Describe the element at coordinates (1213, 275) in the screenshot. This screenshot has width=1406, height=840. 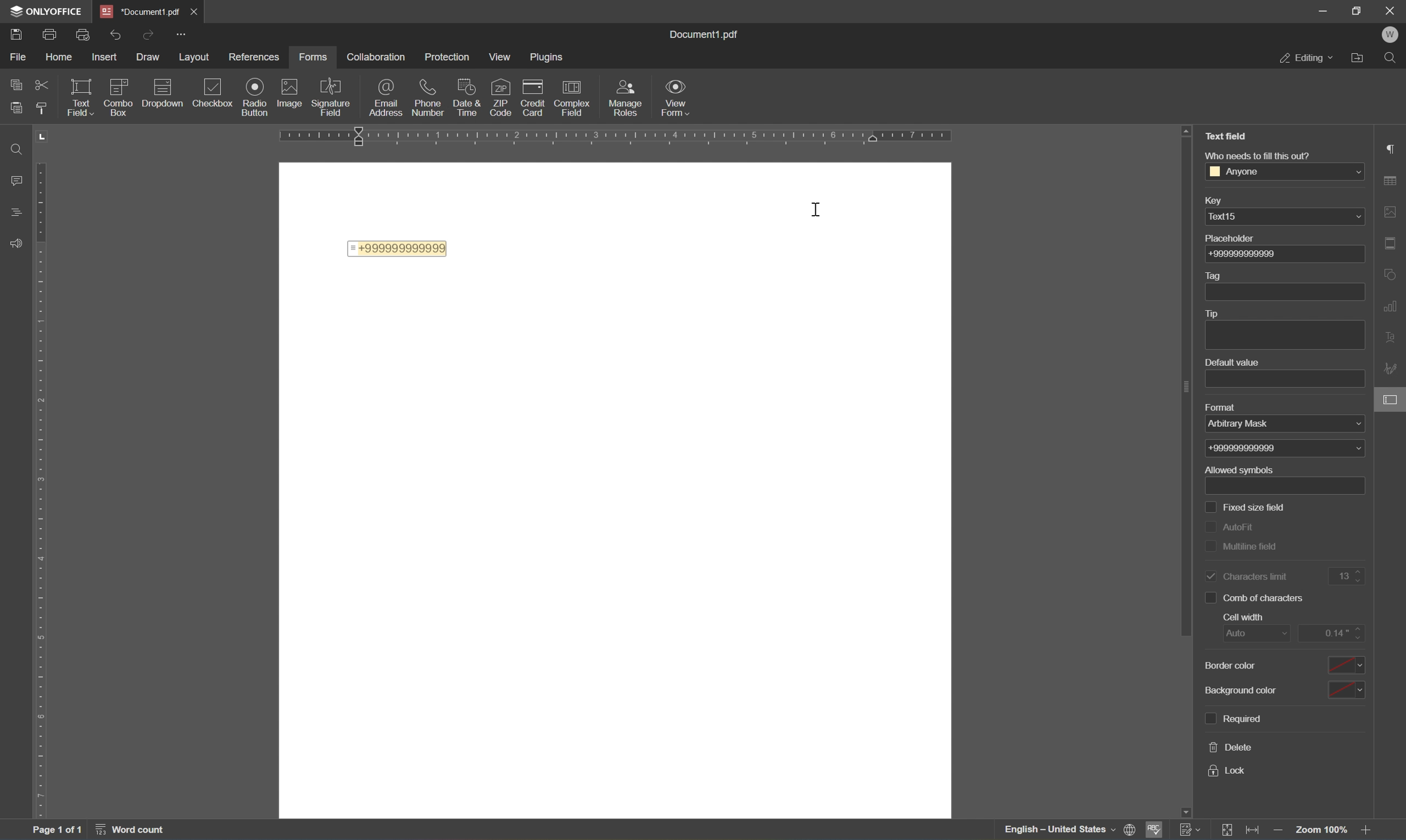
I see `tag` at that location.